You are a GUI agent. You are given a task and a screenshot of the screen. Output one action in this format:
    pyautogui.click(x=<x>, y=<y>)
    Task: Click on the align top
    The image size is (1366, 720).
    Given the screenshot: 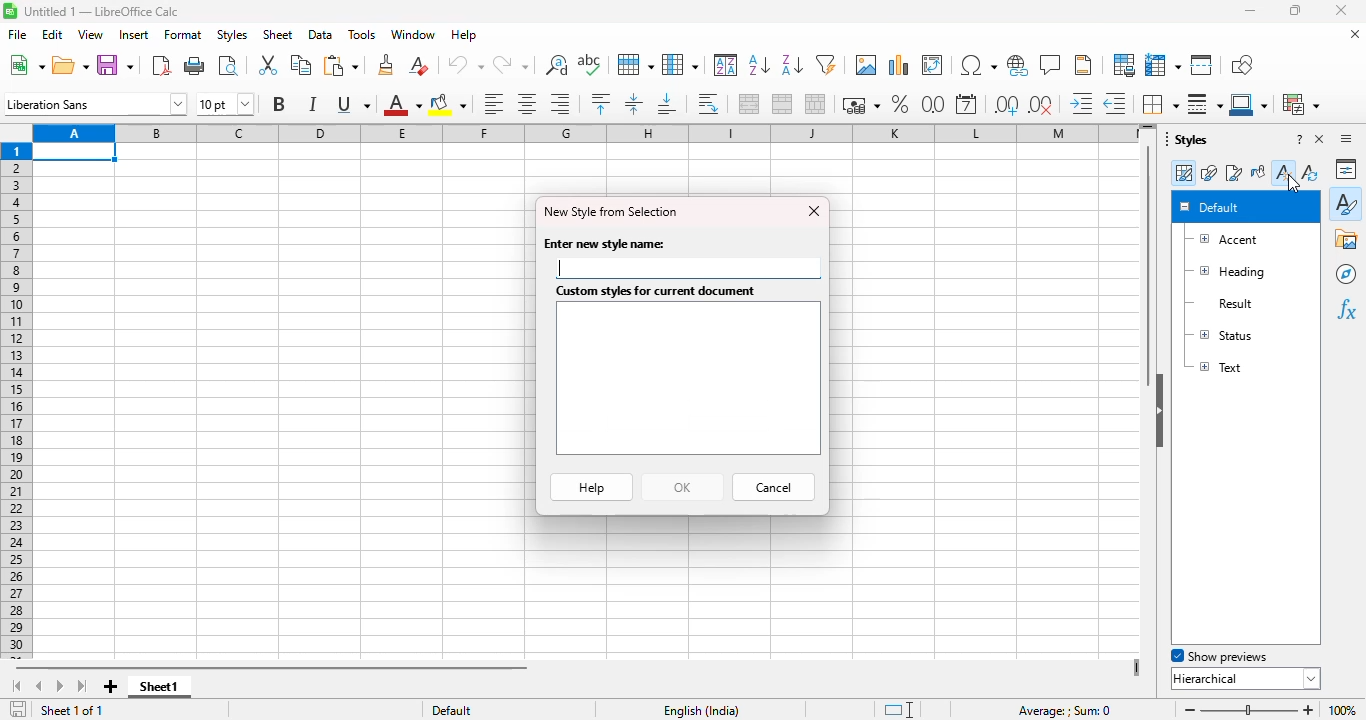 What is the action you would take?
    pyautogui.click(x=600, y=103)
    